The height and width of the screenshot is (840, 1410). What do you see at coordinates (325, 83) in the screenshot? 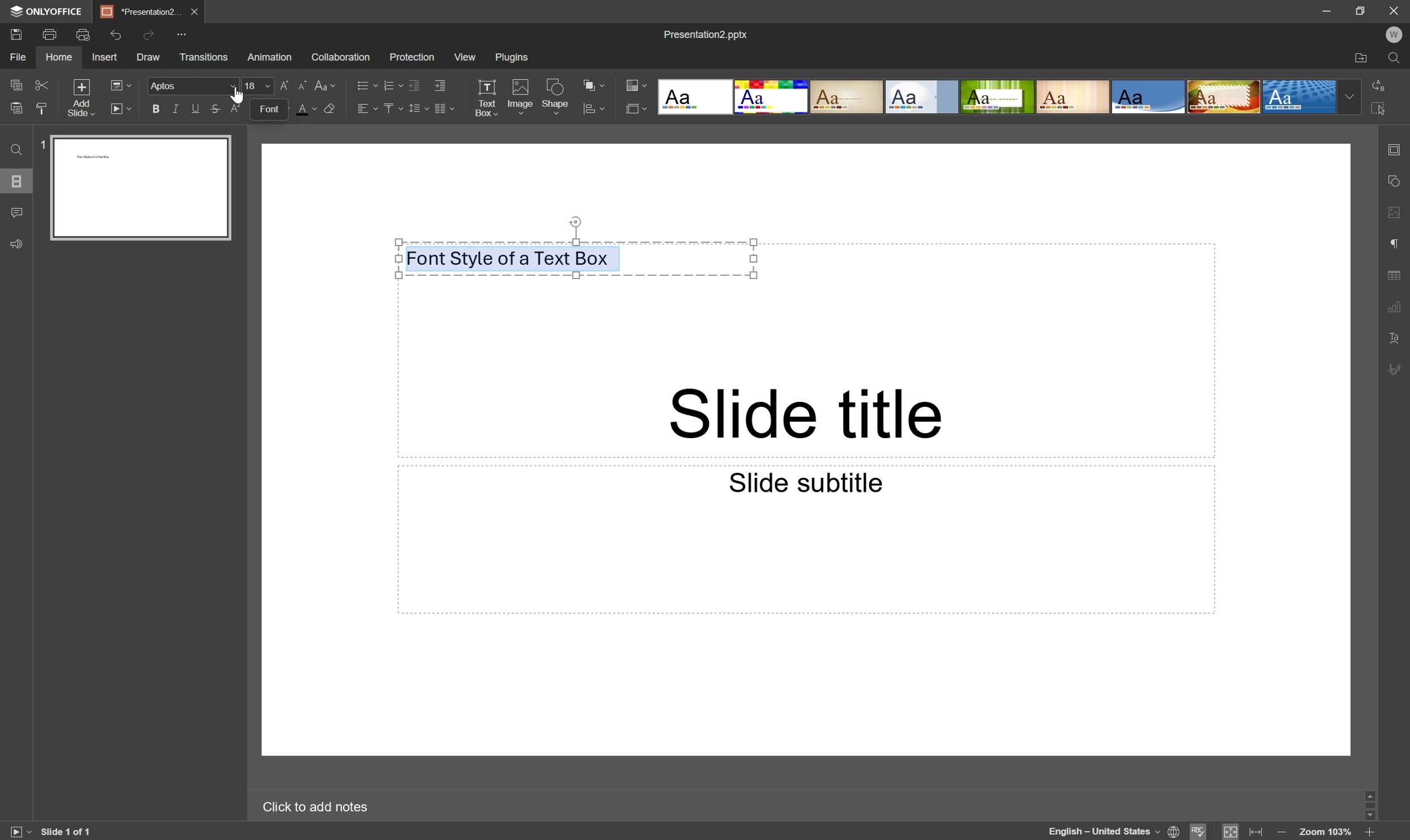
I see `Change case` at bounding box center [325, 83].